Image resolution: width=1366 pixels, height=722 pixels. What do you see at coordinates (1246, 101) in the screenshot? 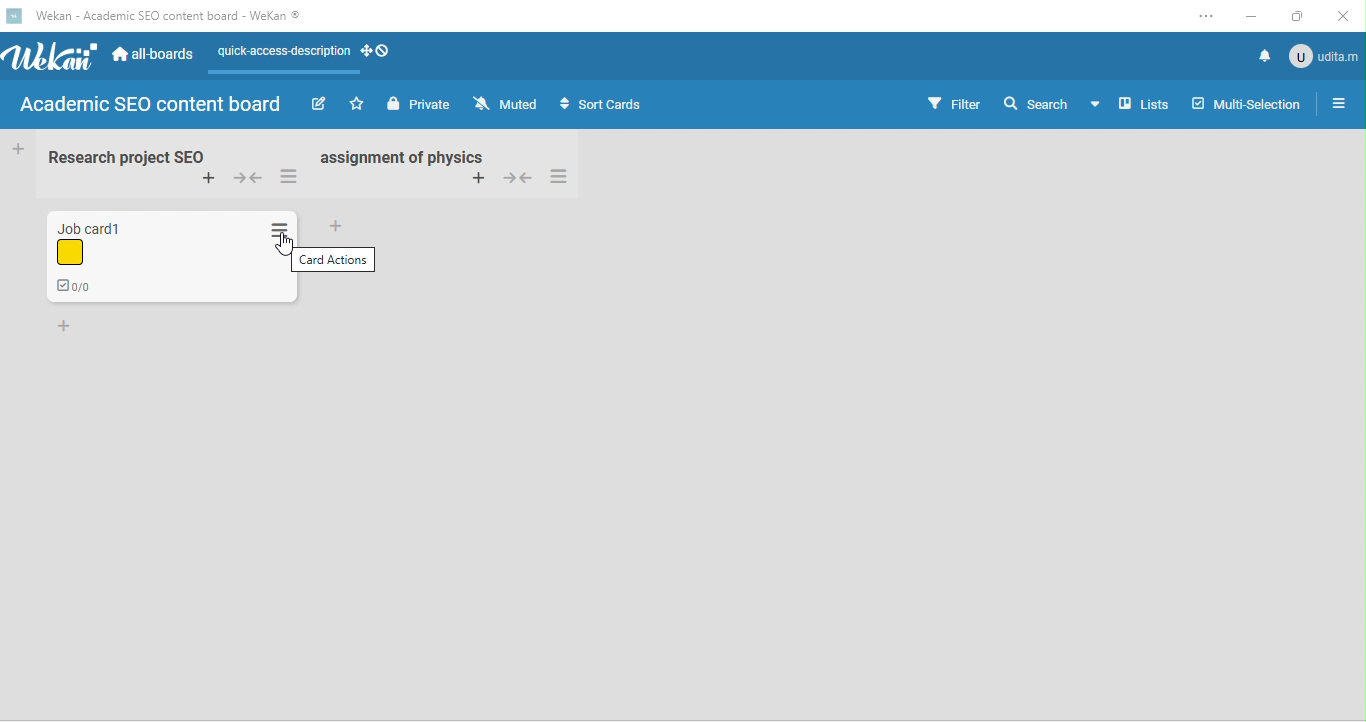
I see `multi-selection` at bounding box center [1246, 101].